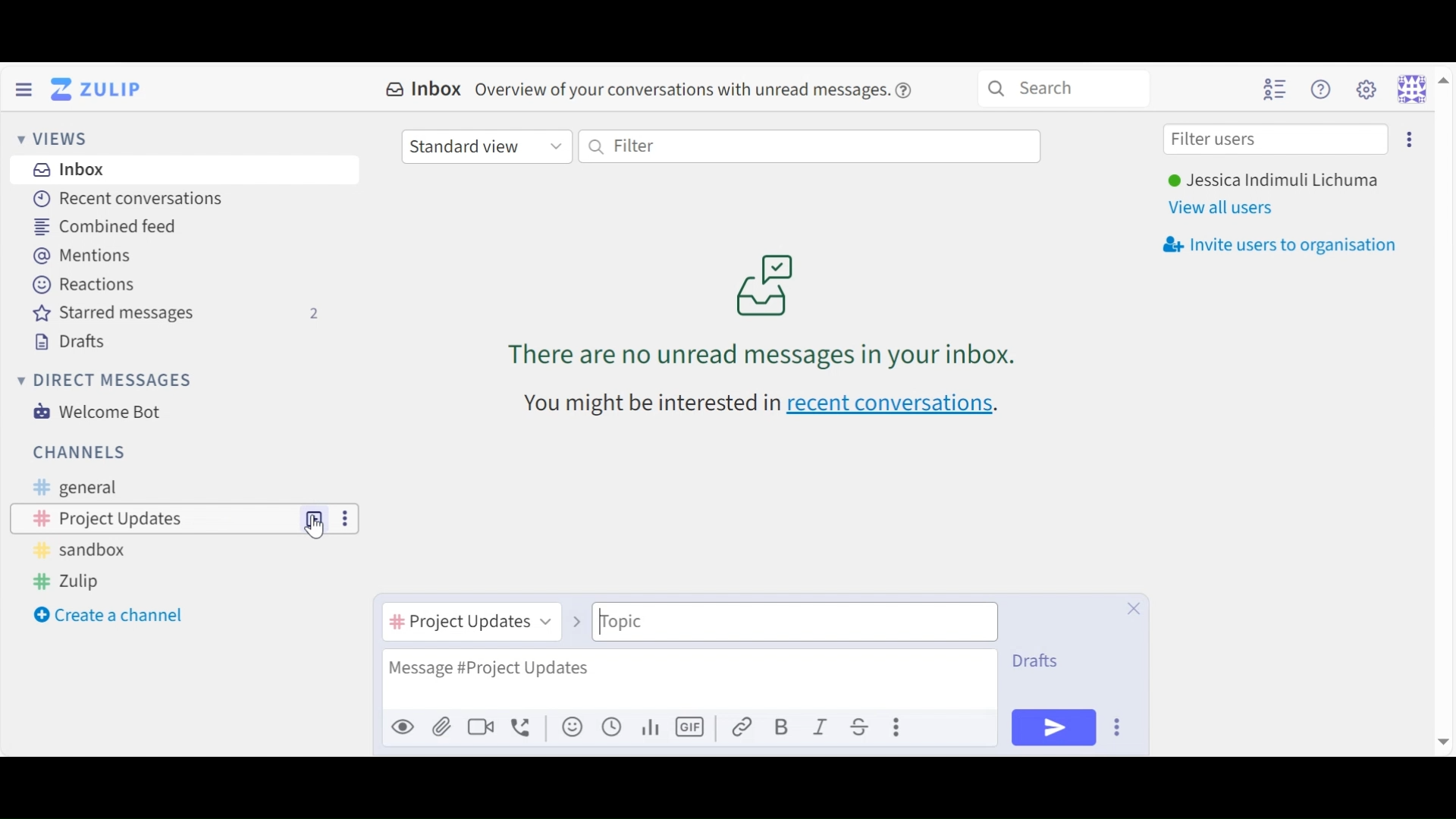 This screenshot has width=1456, height=819. I want to click on Channel name, so click(470, 624).